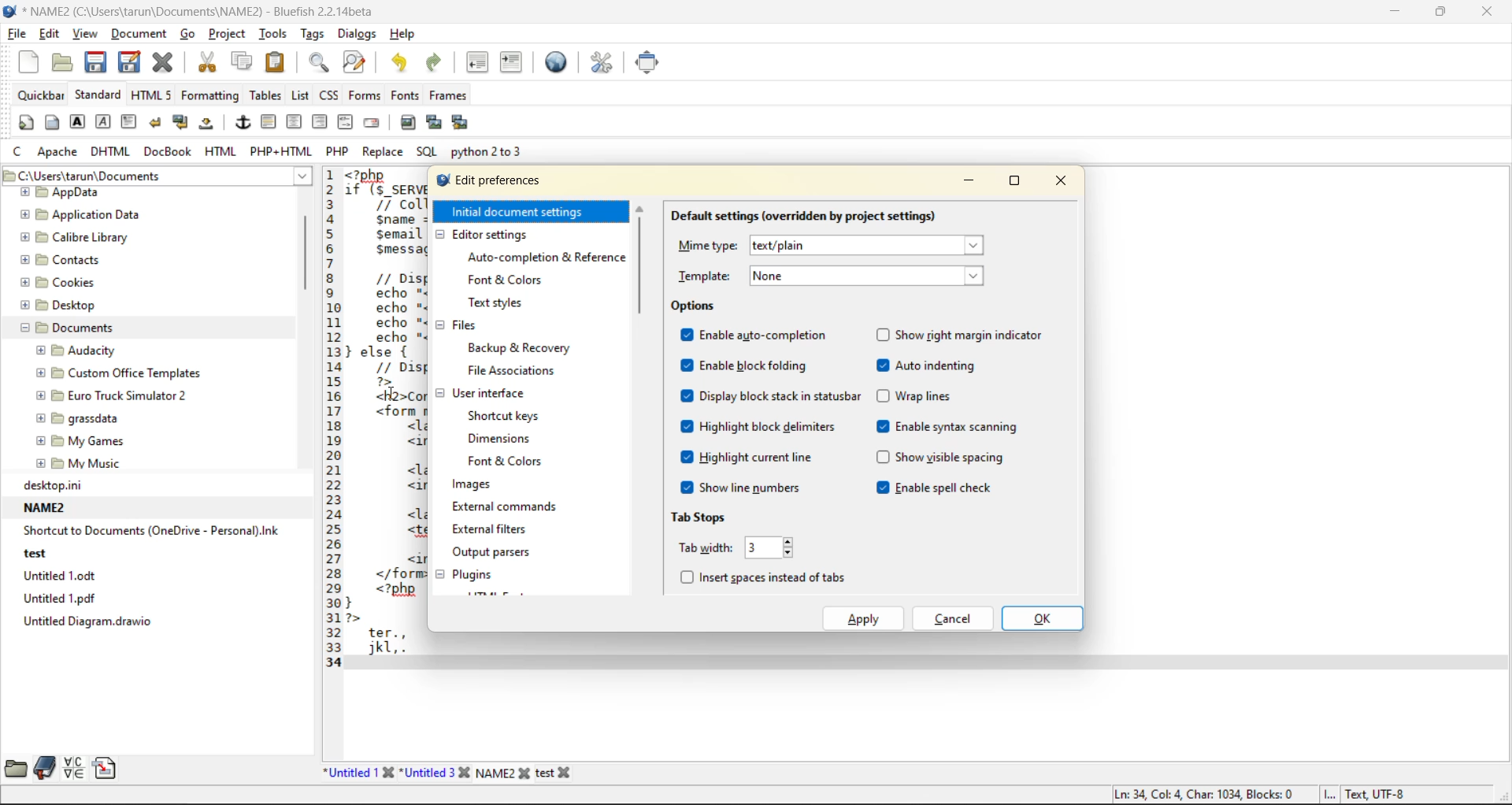 The height and width of the screenshot is (805, 1512). Describe the element at coordinates (330, 421) in the screenshot. I see `line number` at that location.